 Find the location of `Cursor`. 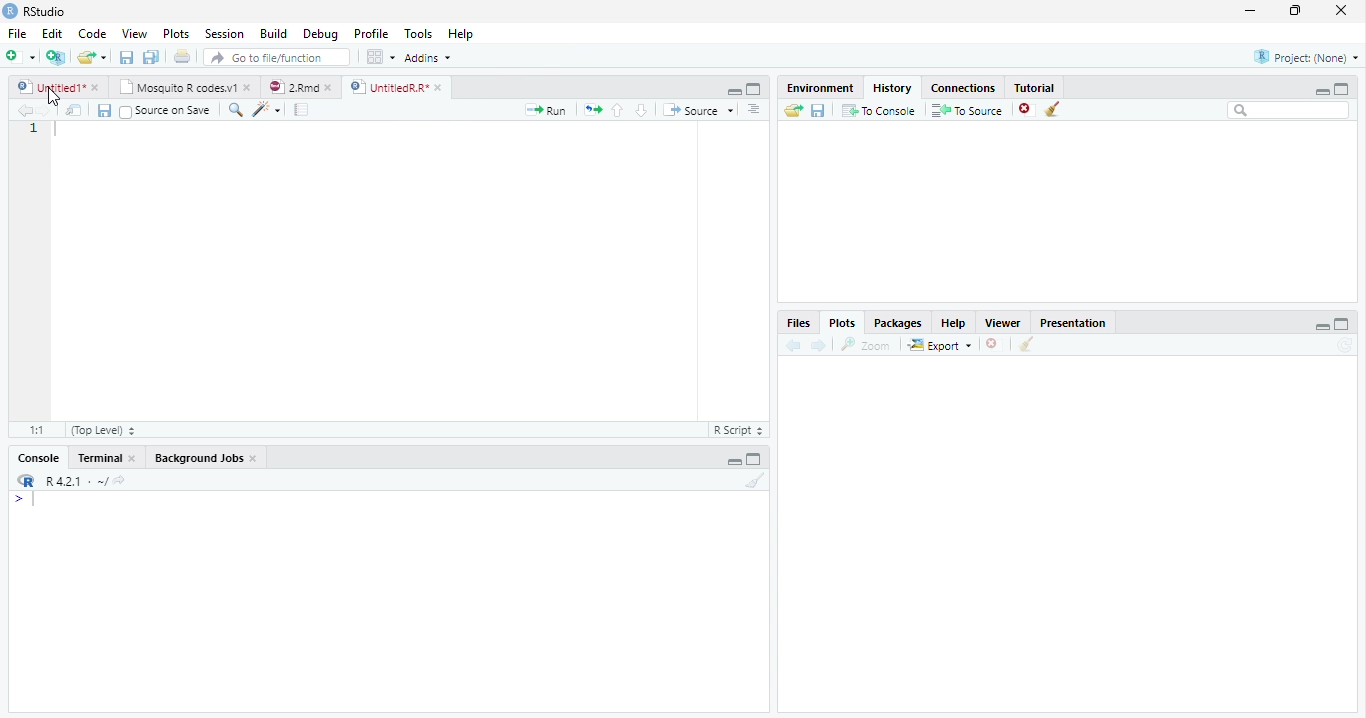

Cursor is located at coordinates (55, 98).